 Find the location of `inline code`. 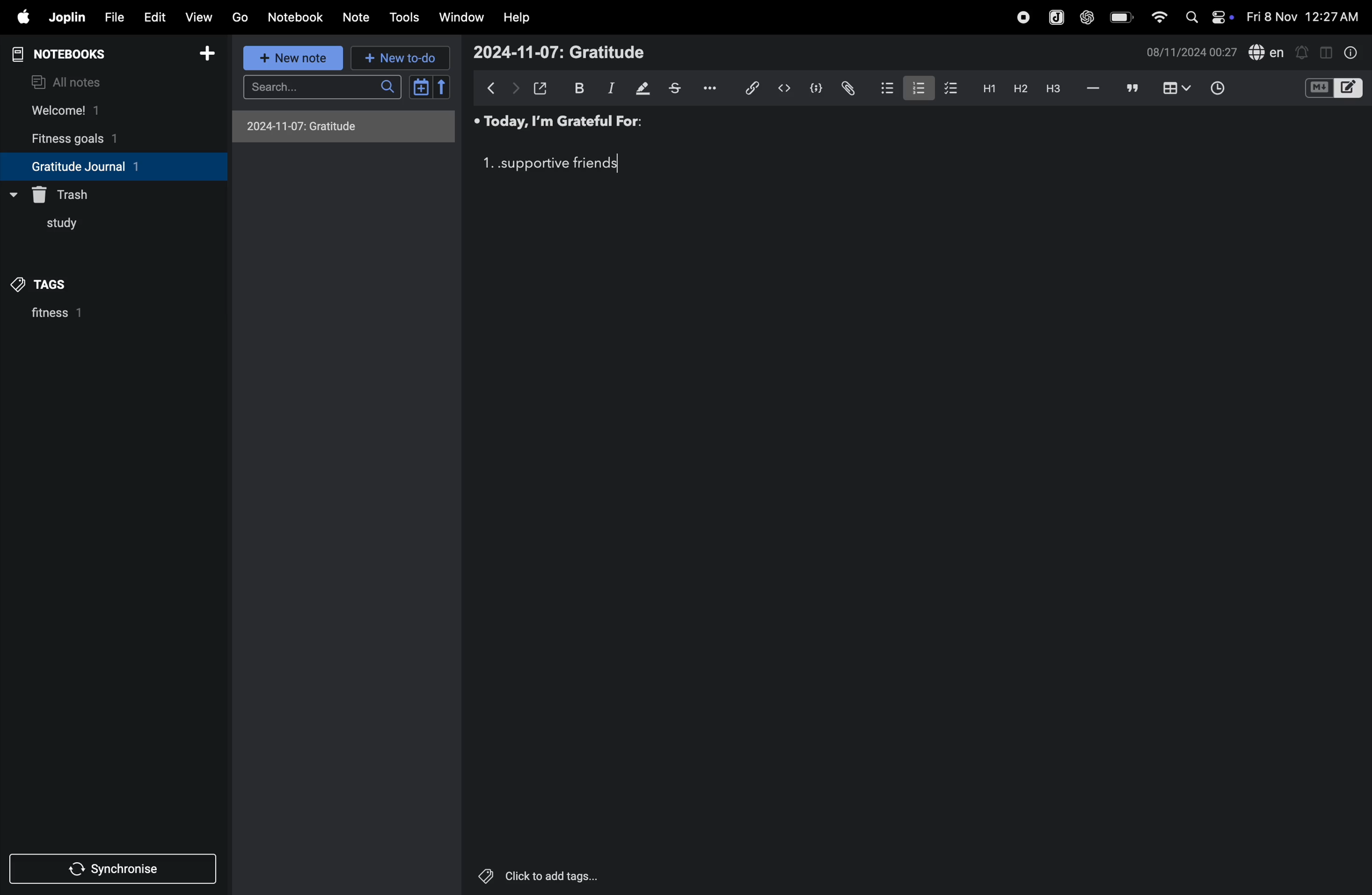

inline code is located at coordinates (782, 89).